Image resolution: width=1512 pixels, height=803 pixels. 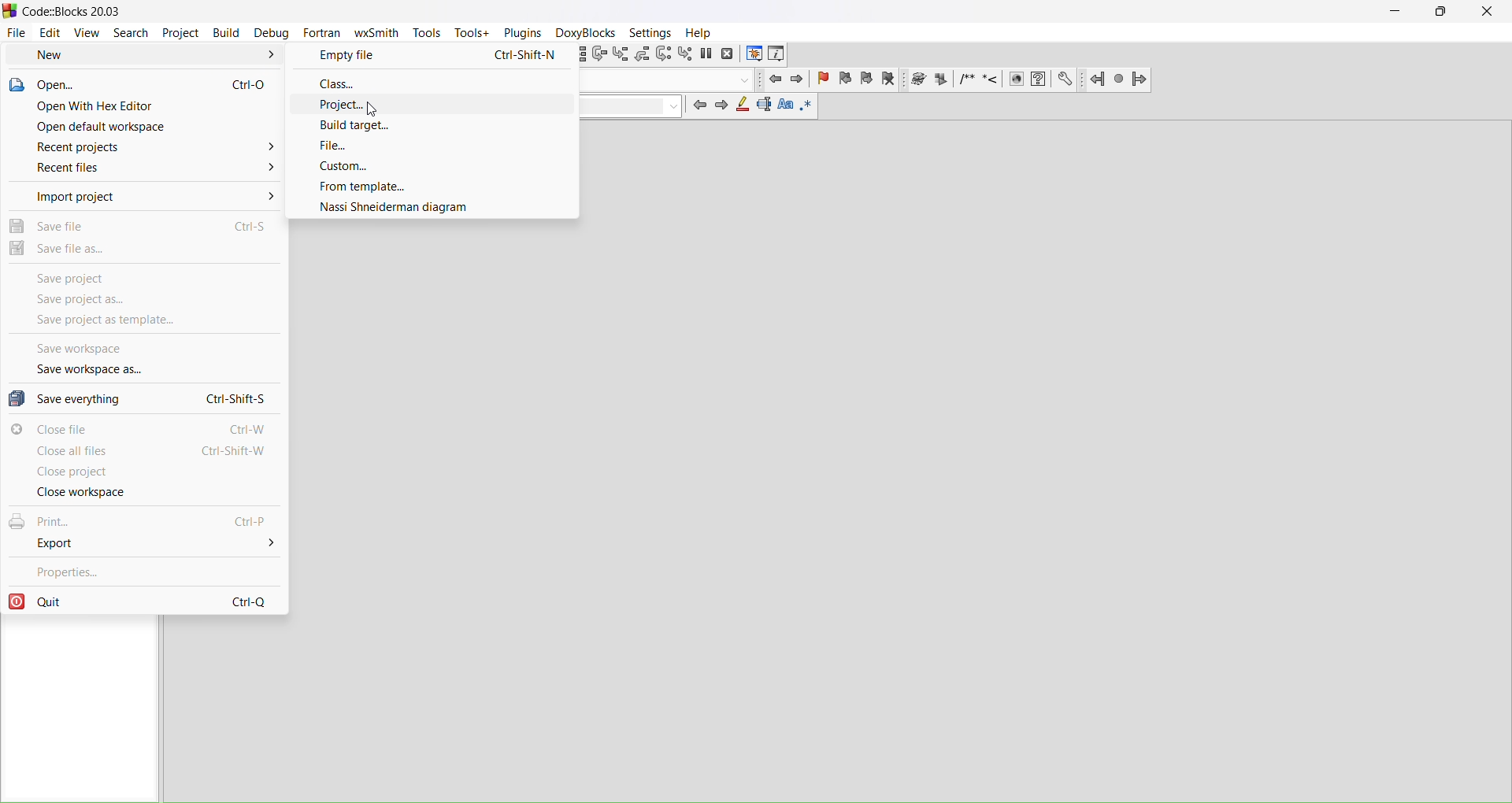 I want to click on save file, so click(x=142, y=224).